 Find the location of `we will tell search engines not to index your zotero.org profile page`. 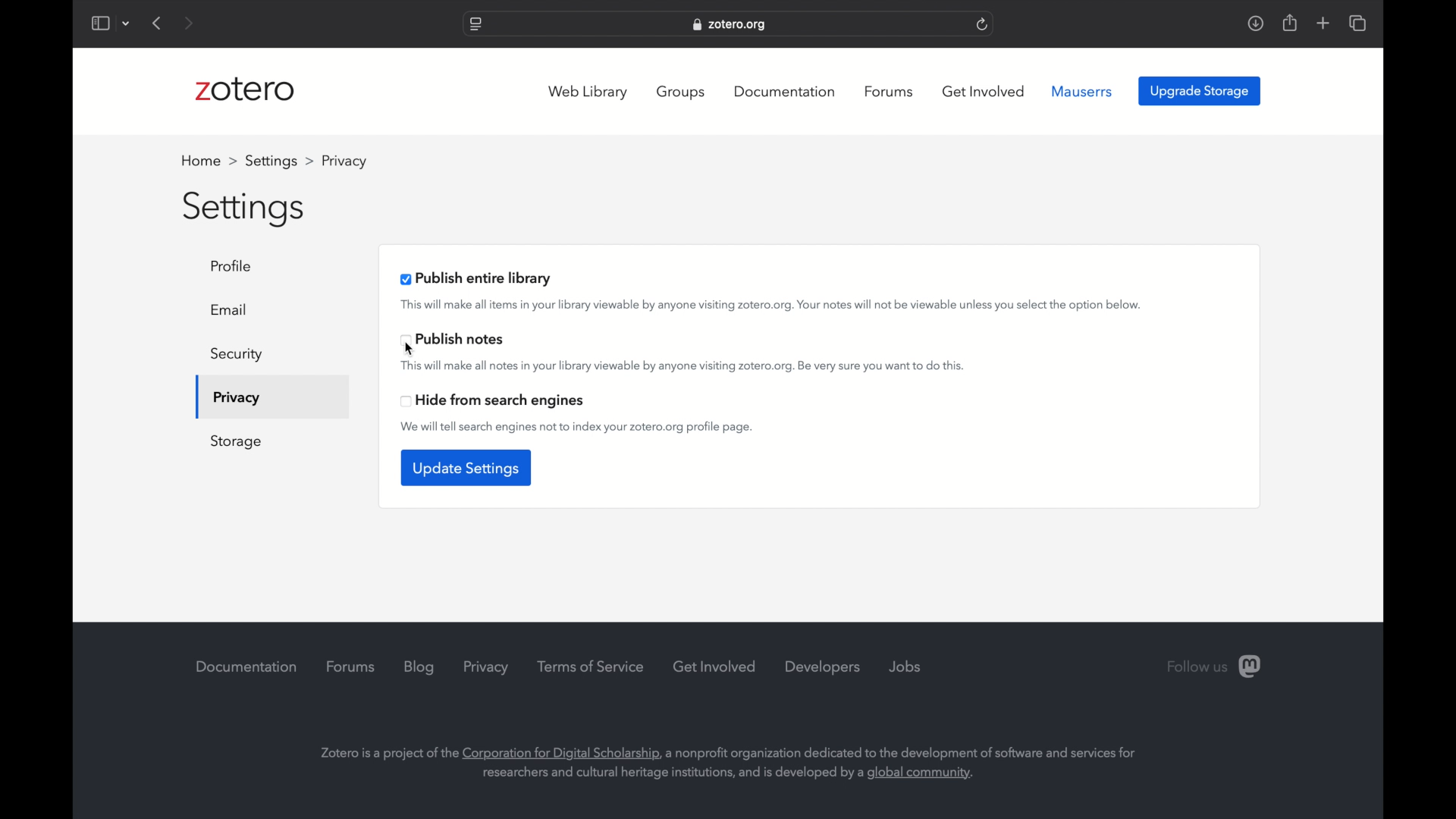

we will tell search engines not to index your zotero.org profile page is located at coordinates (578, 428).